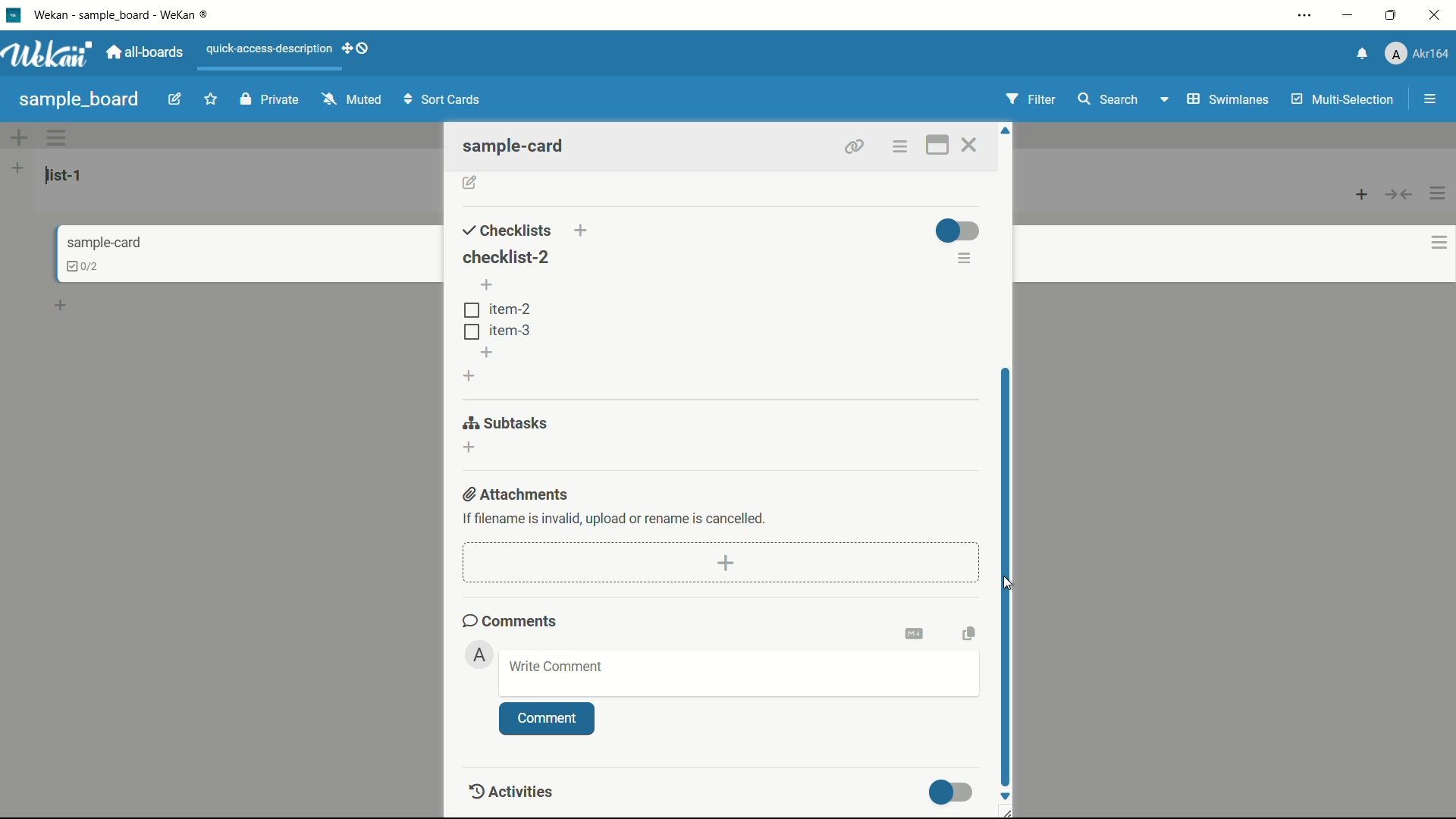 Image resolution: width=1456 pixels, height=819 pixels. What do you see at coordinates (20, 137) in the screenshot?
I see `add swimlane` at bounding box center [20, 137].